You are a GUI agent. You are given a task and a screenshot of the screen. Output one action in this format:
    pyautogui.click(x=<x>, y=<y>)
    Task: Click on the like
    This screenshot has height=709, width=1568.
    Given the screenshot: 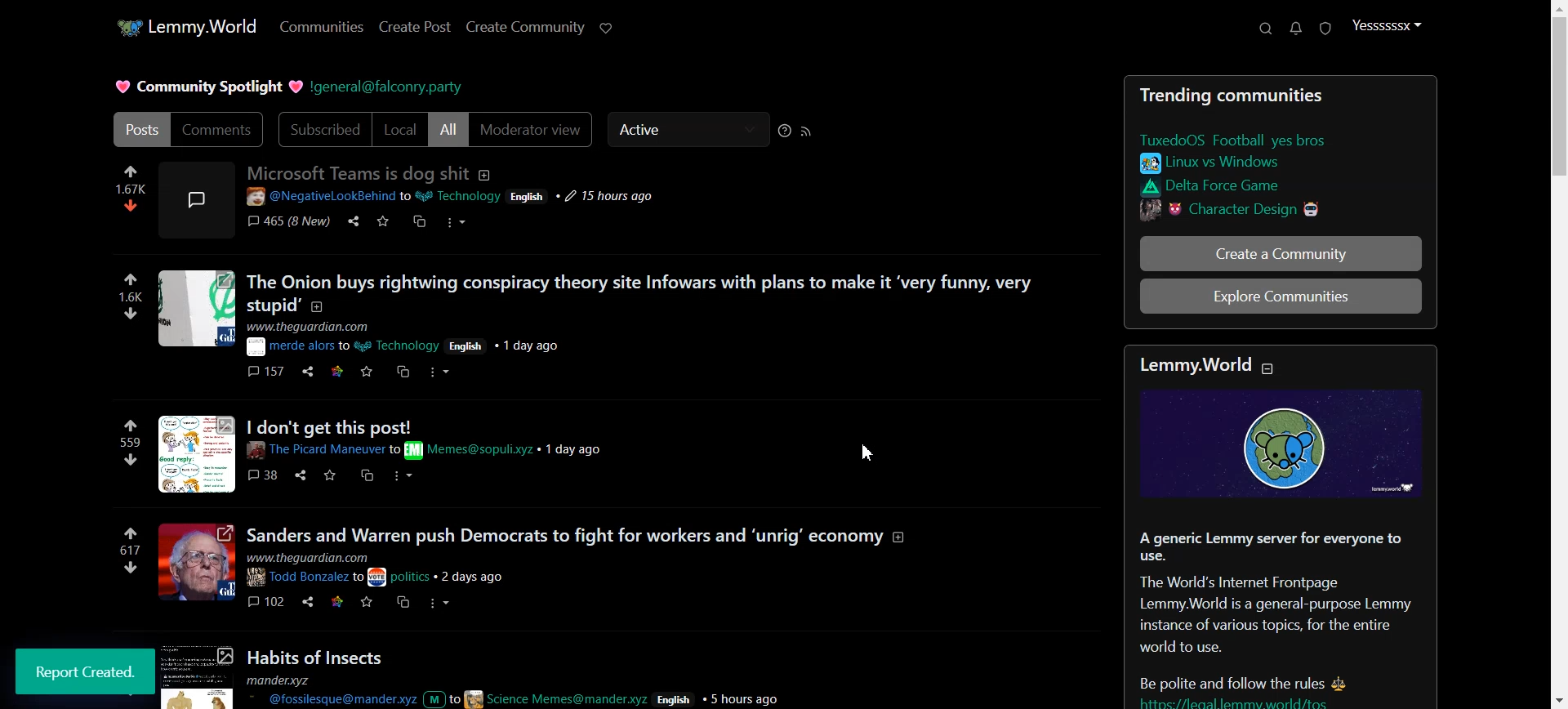 What is the action you would take?
    pyautogui.click(x=131, y=426)
    